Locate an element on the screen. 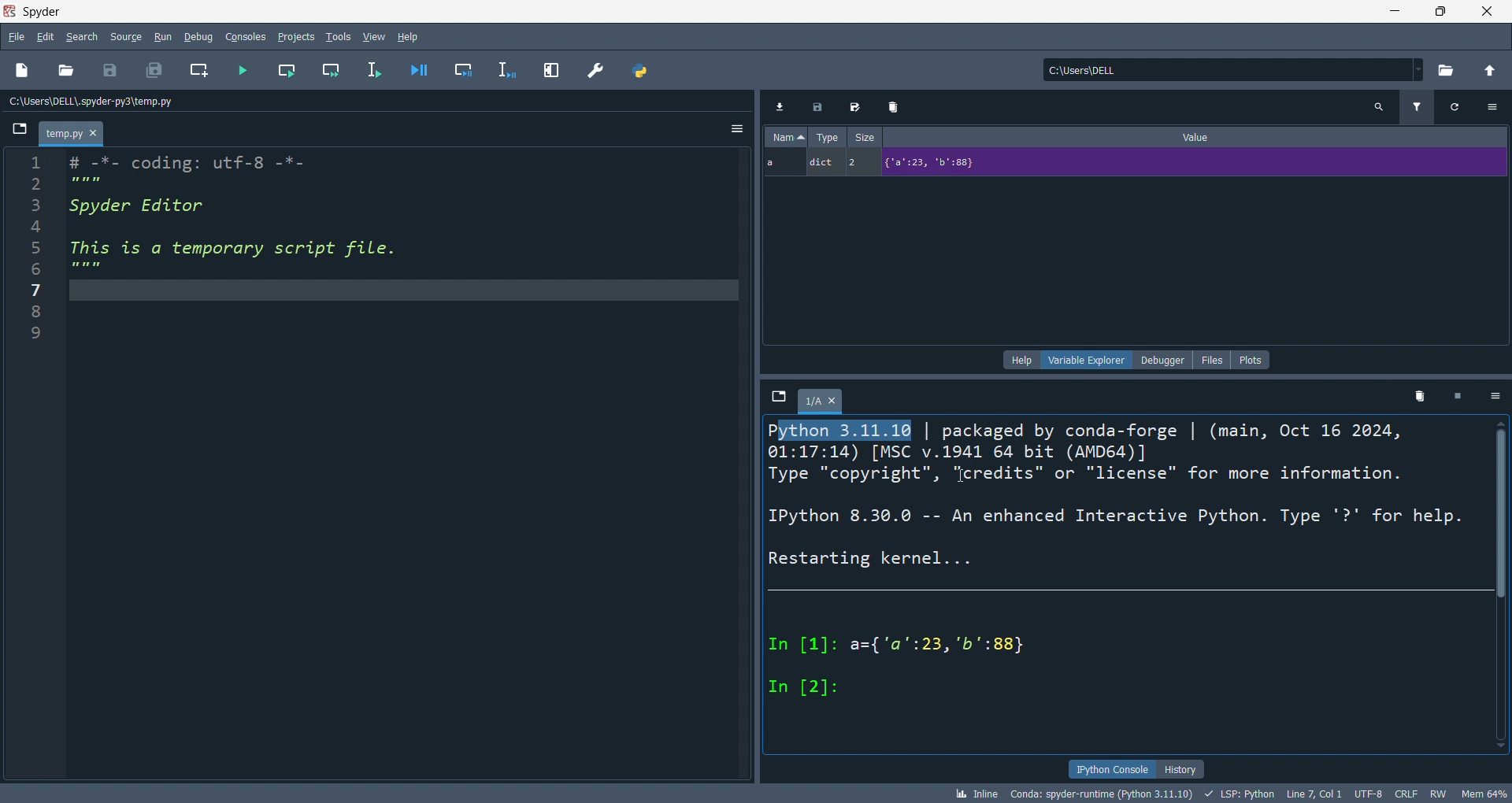 This screenshot has height=803, width=1512. plots is located at coordinates (1252, 360).